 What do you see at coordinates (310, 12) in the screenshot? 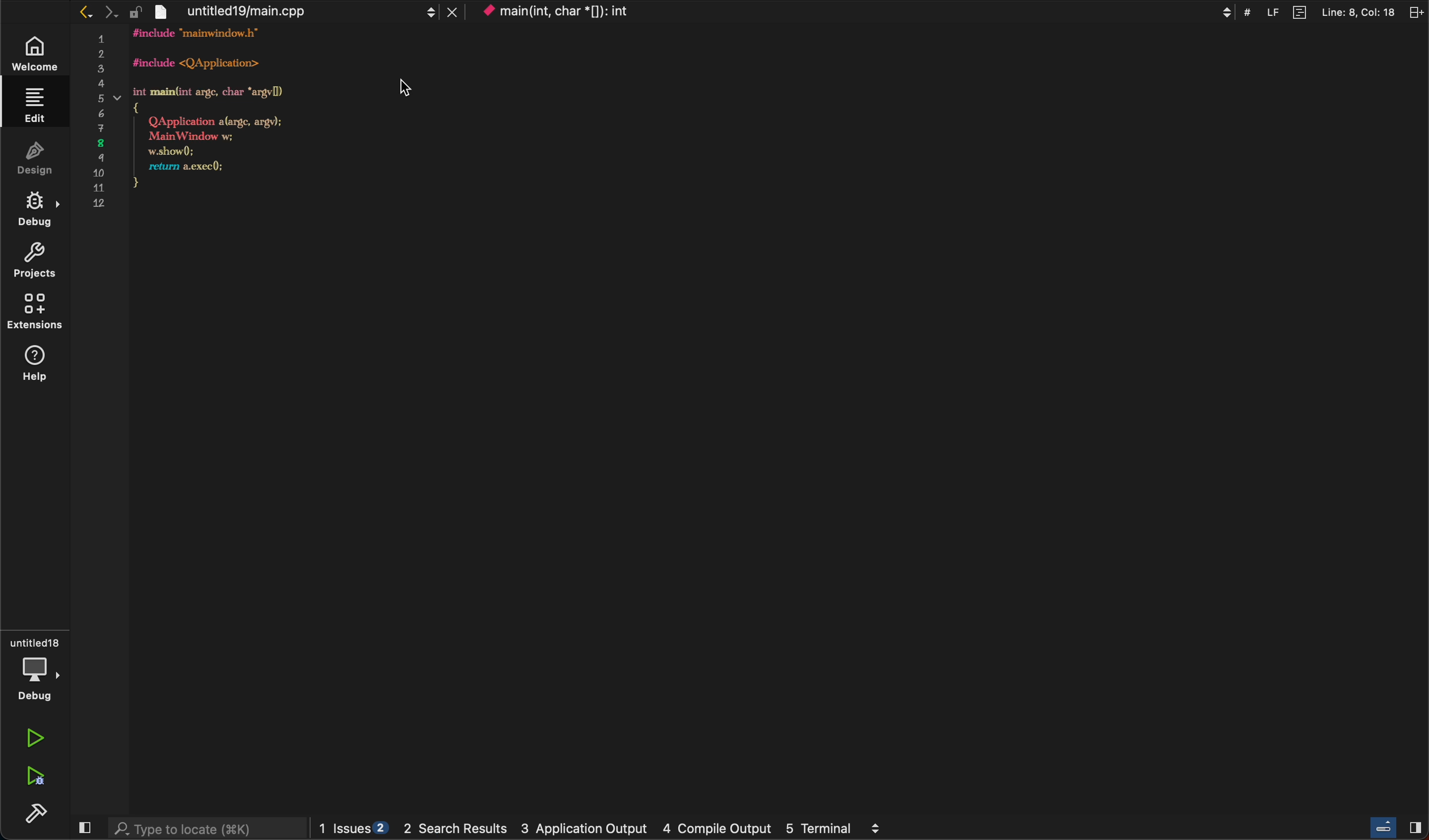
I see `file tab` at bounding box center [310, 12].